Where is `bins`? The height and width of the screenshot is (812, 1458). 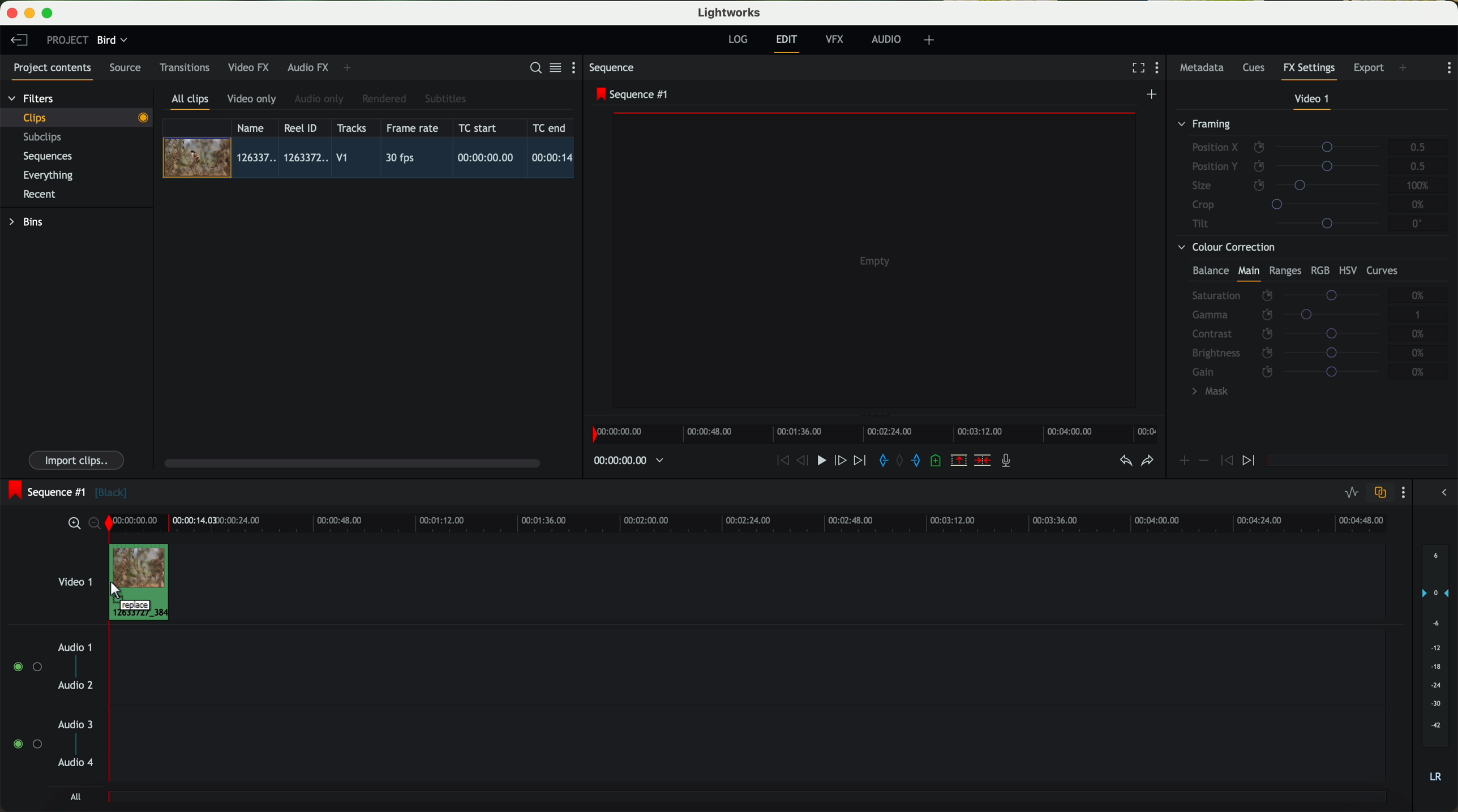 bins is located at coordinates (28, 222).